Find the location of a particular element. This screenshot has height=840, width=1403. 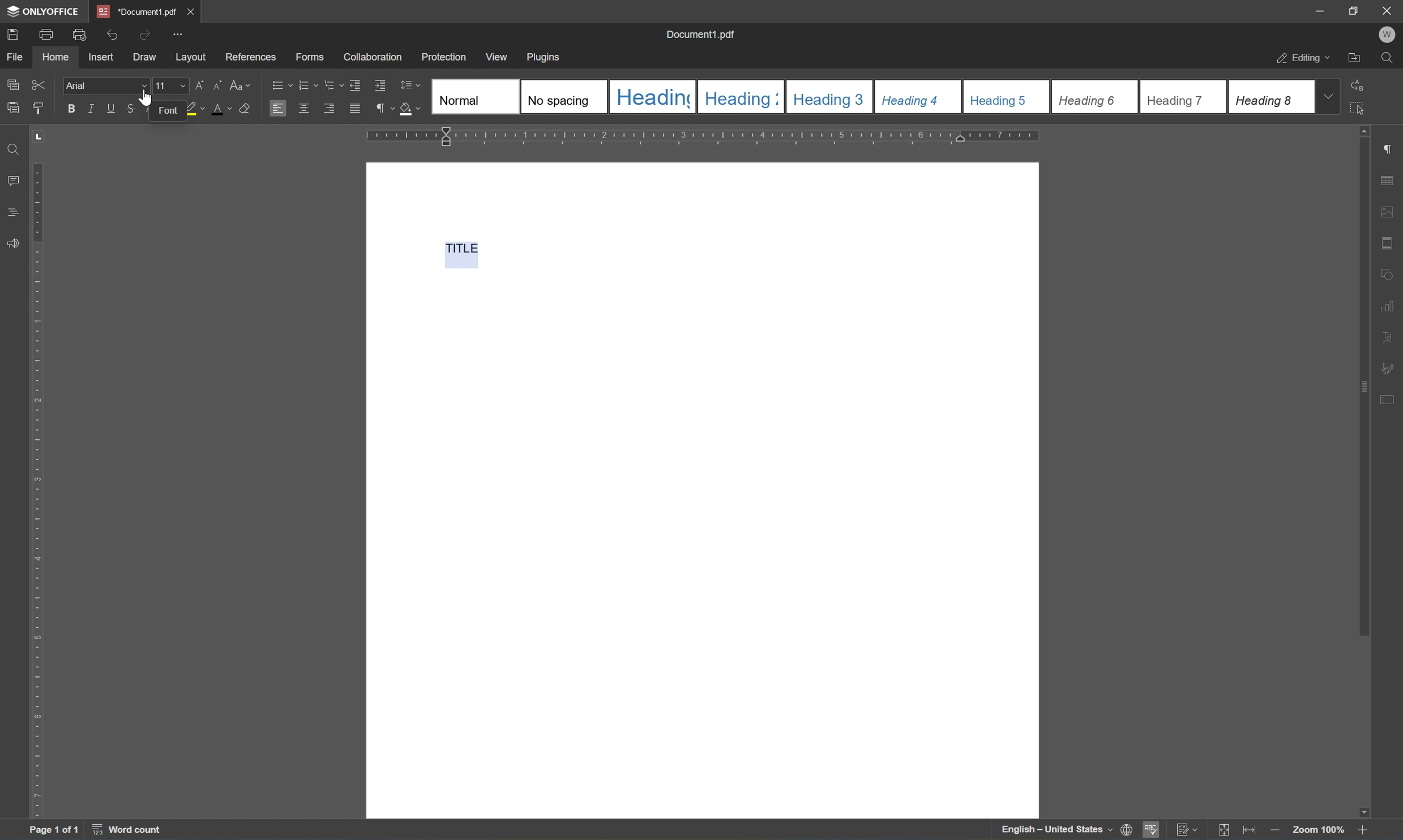

bold is located at coordinates (72, 108).